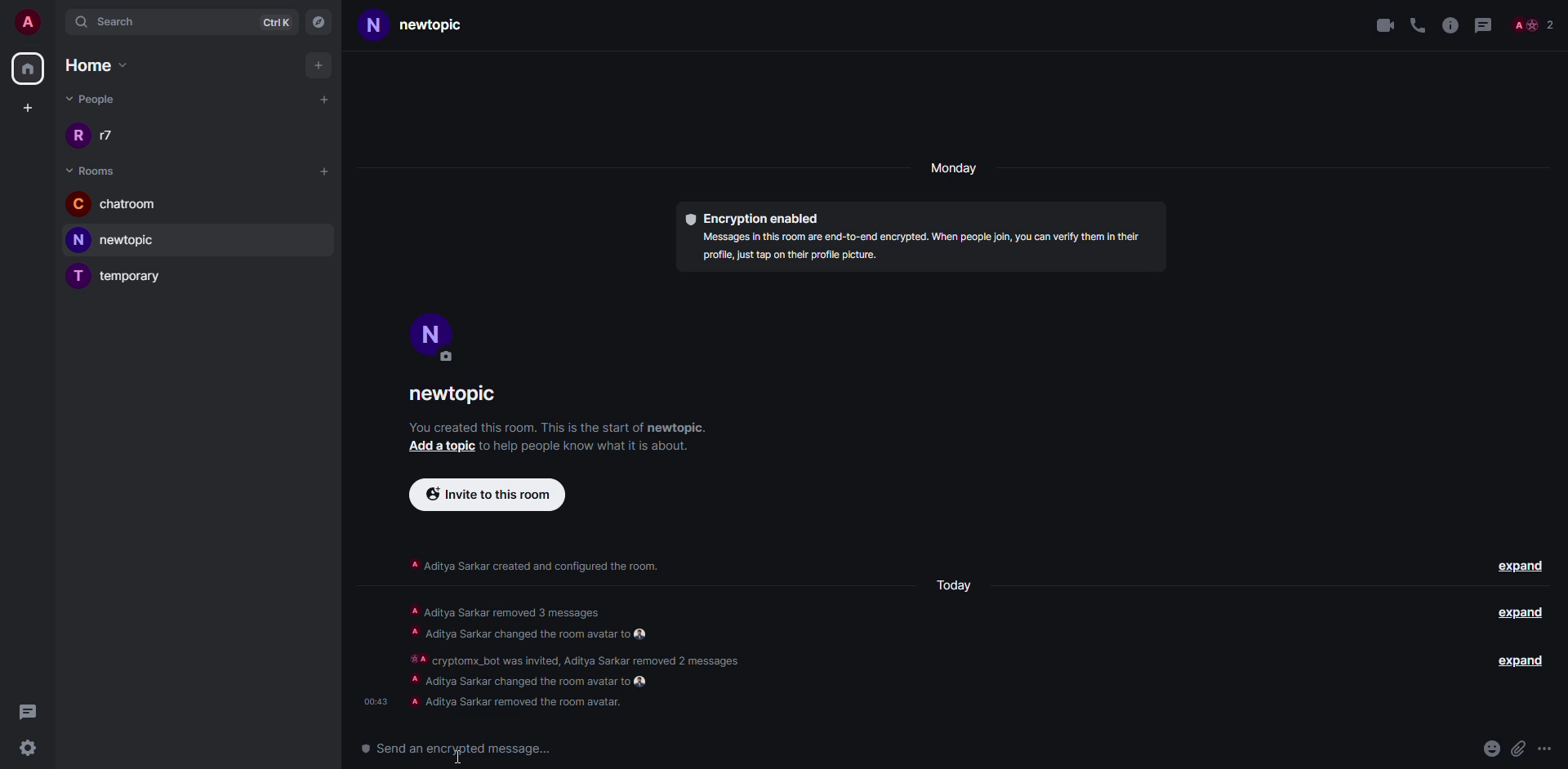  I want to click on search, so click(118, 21).